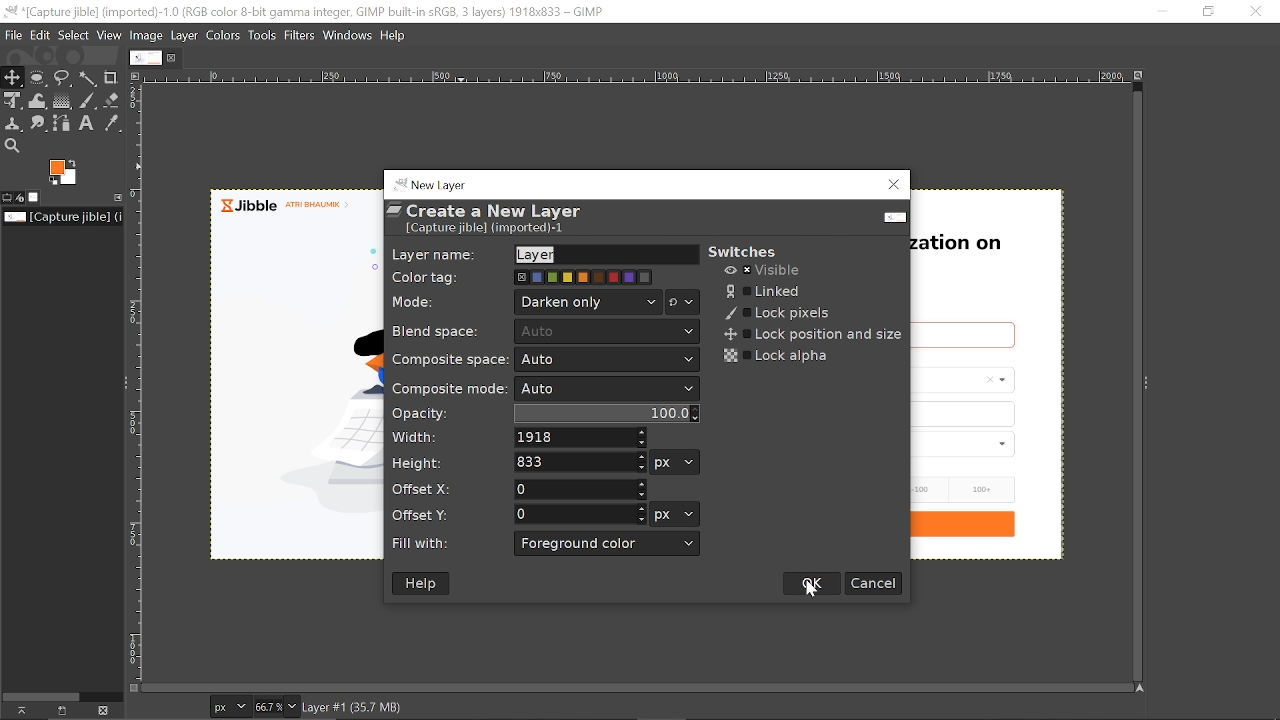 The height and width of the screenshot is (720, 1280). Describe the element at coordinates (415, 300) in the screenshot. I see `mode` at that location.